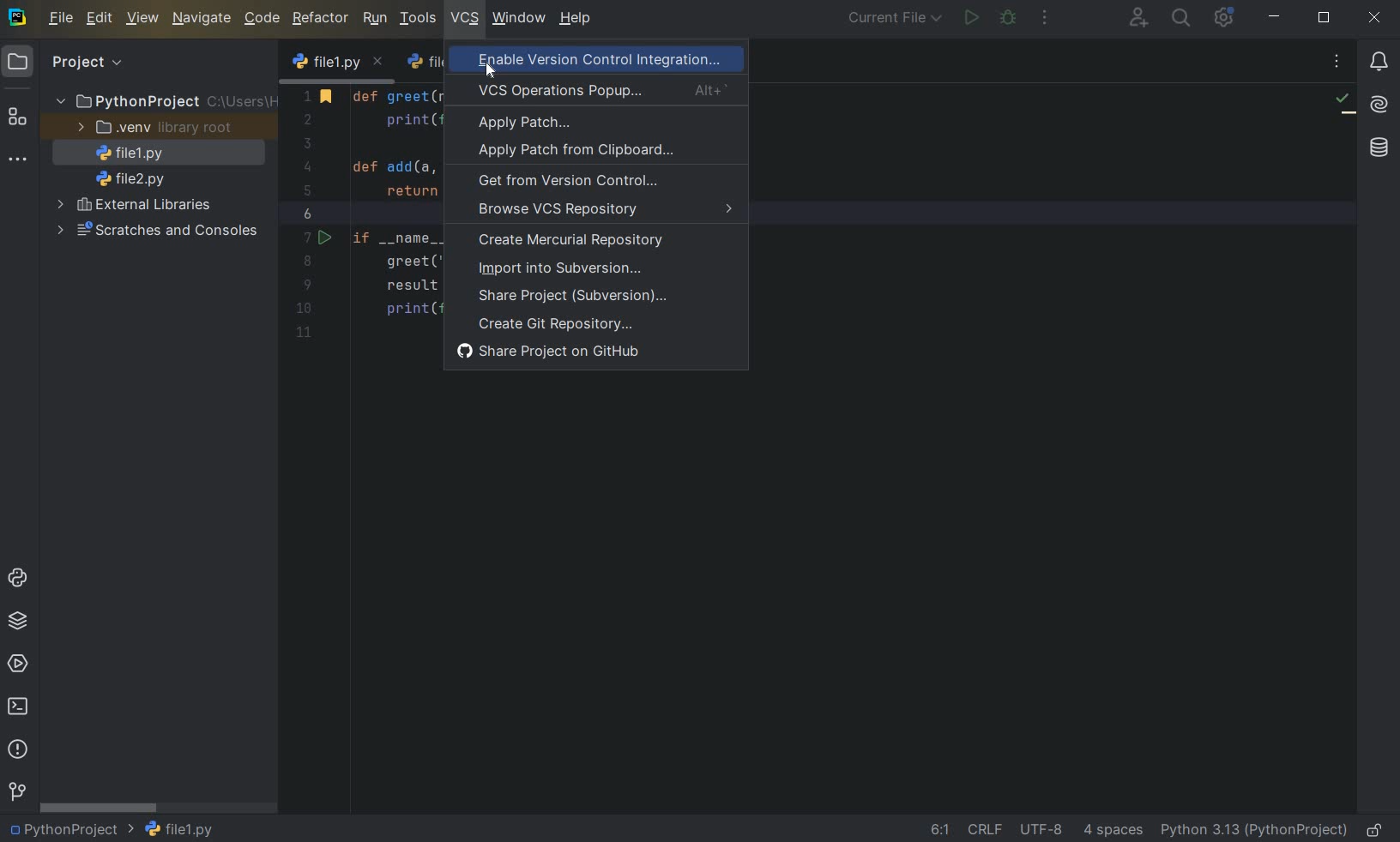  What do you see at coordinates (202, 20) in the screenshot?
I see `navigate` at bounding box center [202, 20].